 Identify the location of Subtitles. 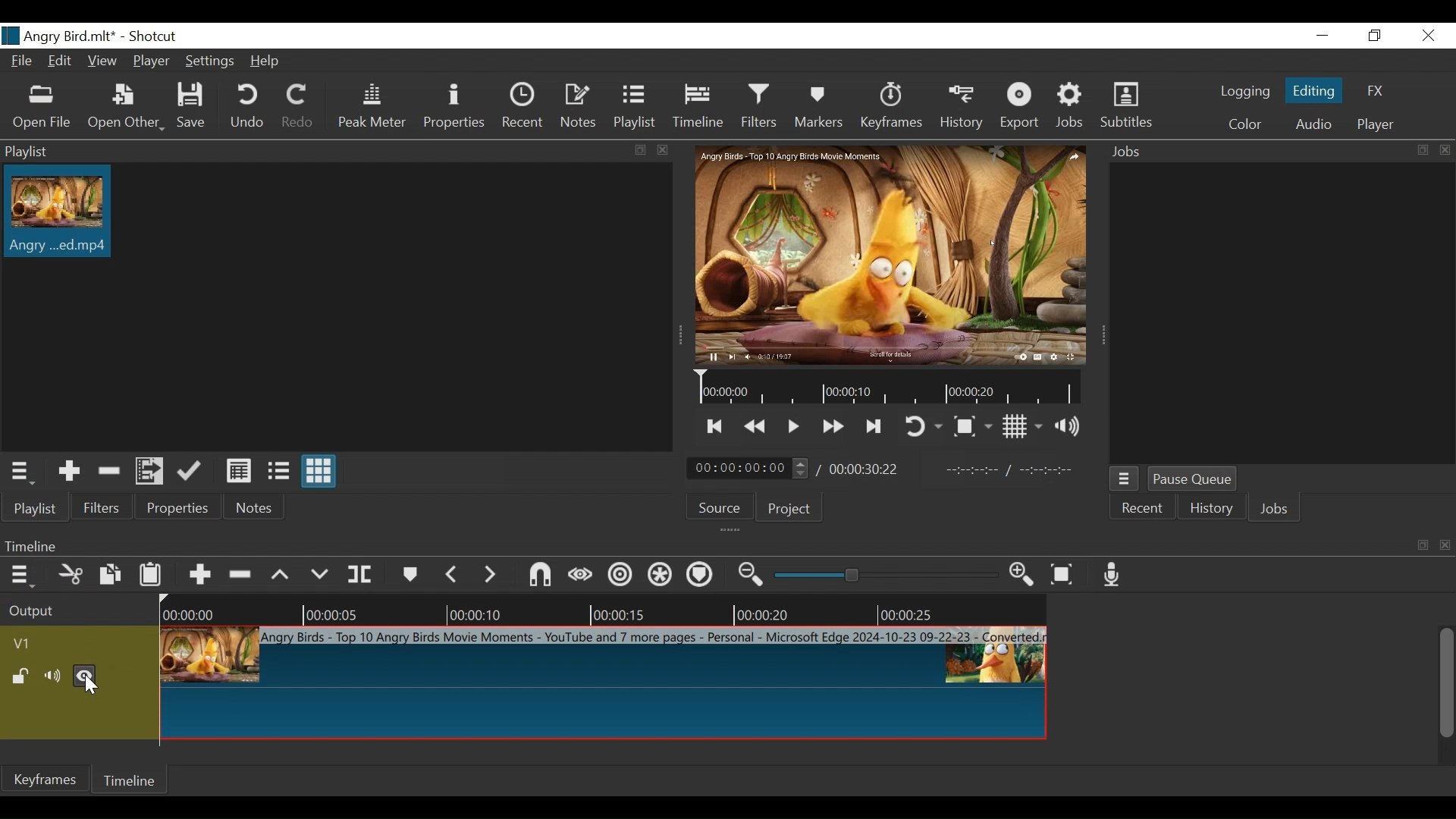
(1126, 105).